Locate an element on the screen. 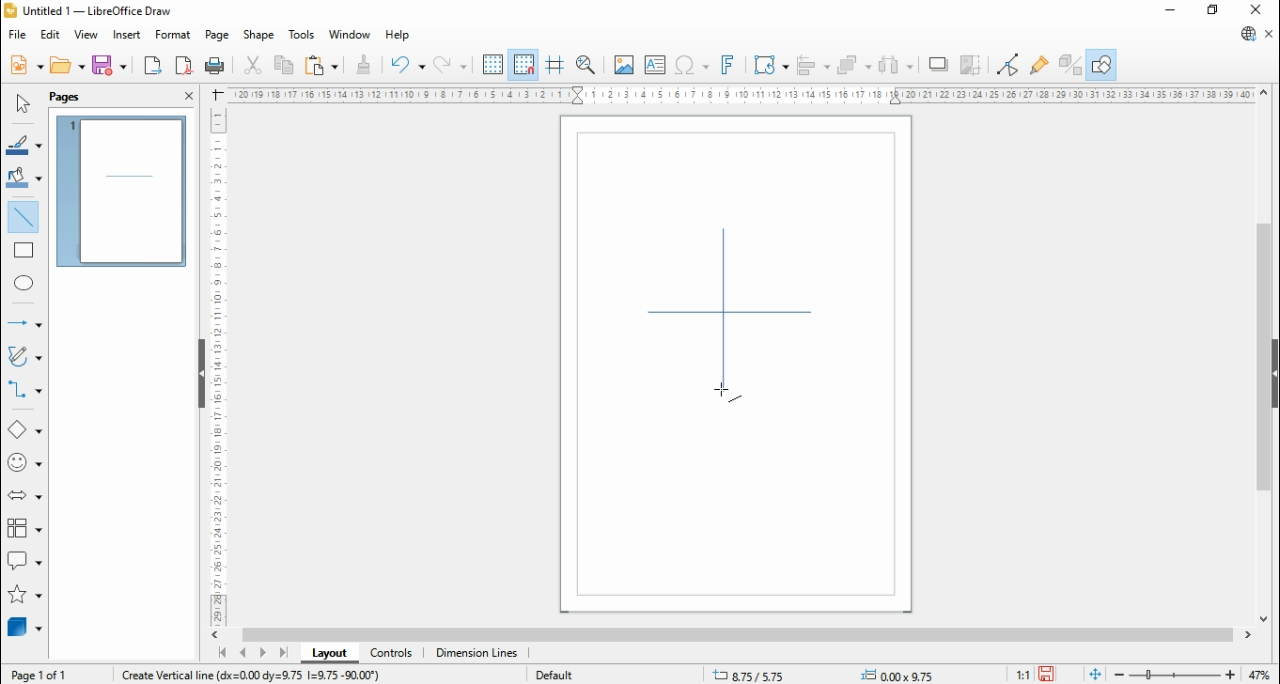  minimize is located at coordinates (1171, 12).